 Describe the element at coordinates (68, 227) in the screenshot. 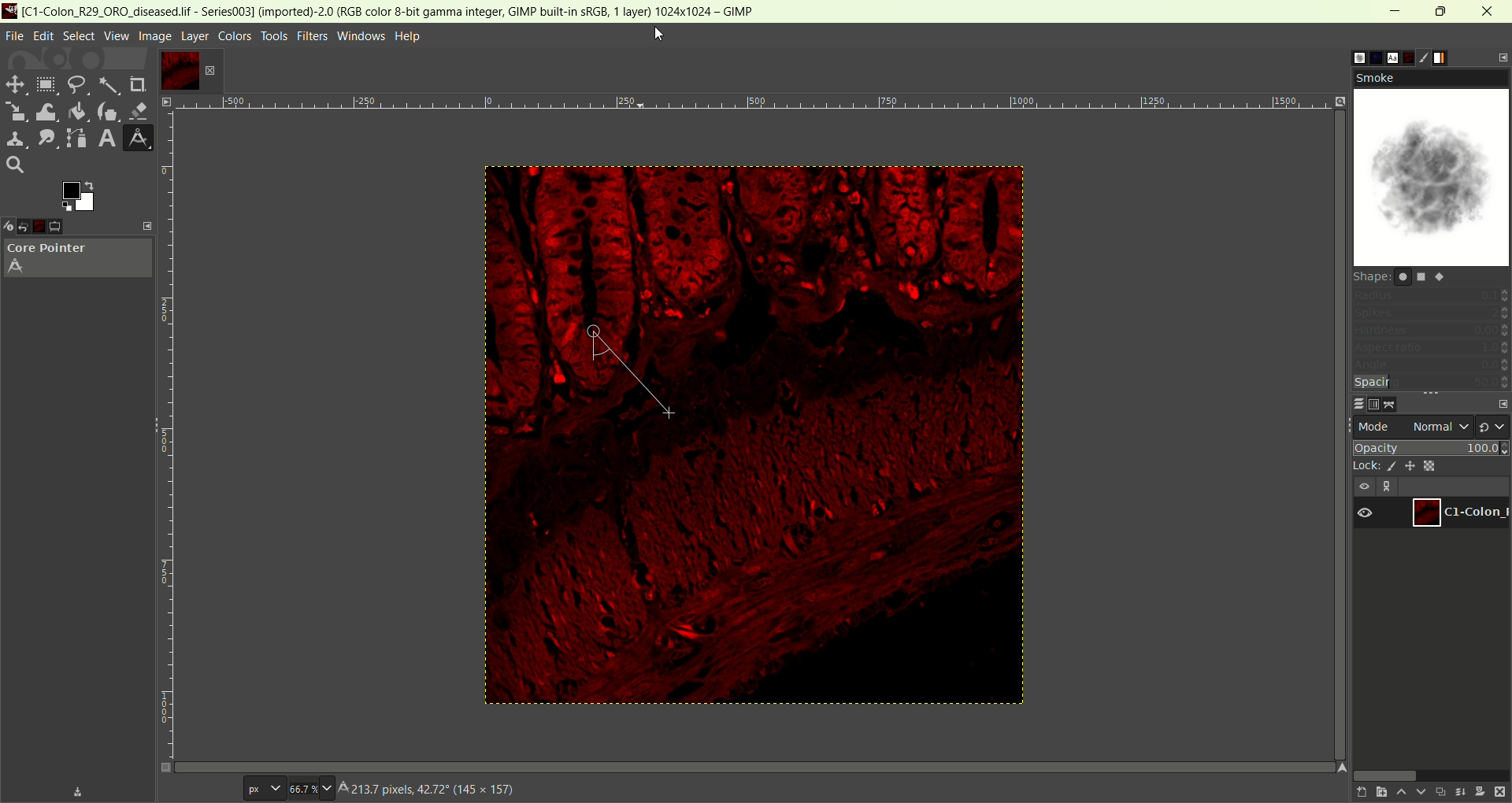

I see `tool option` at that location.